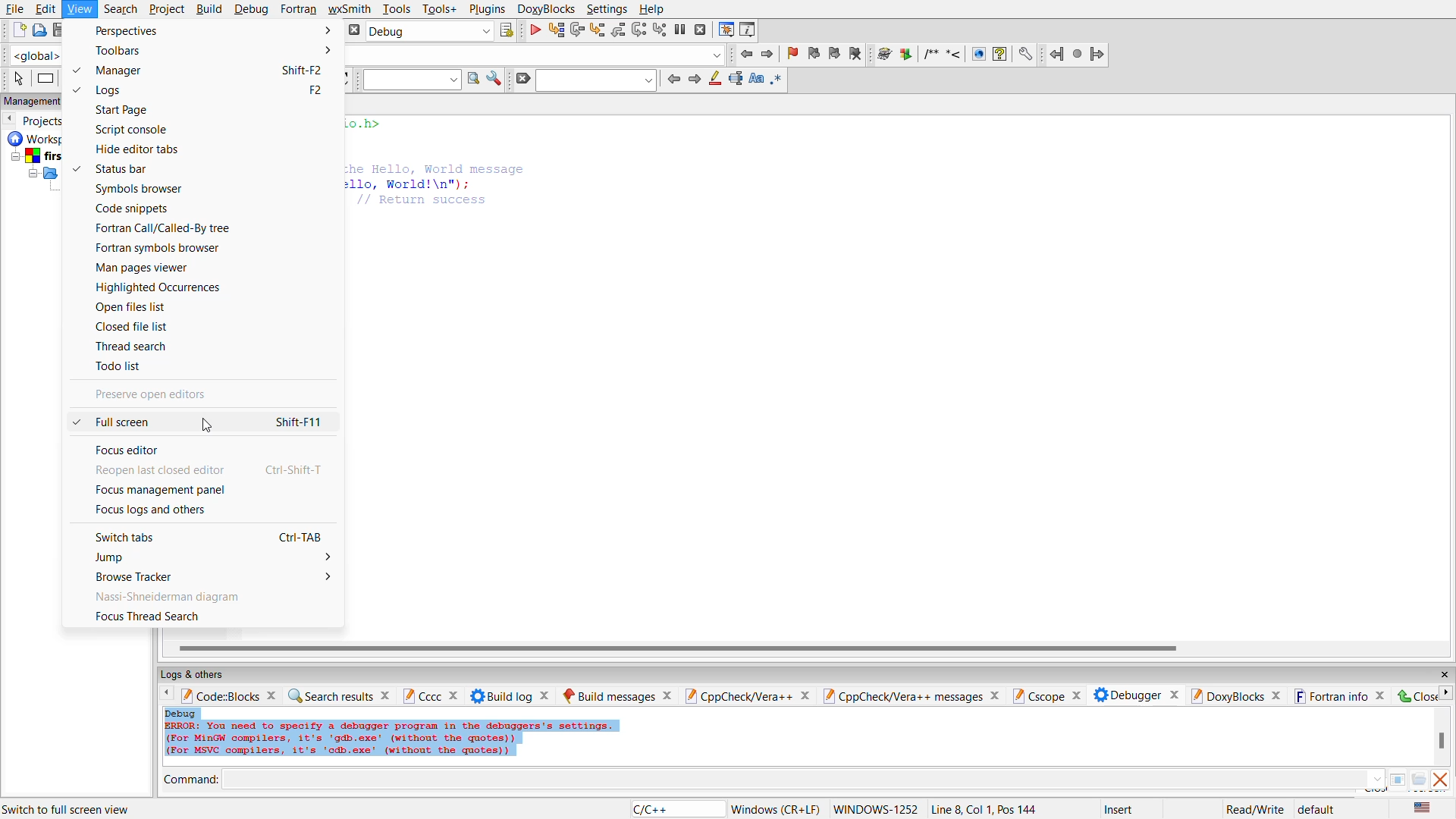 The image size is (1456, 819). I want to click on nassi shneiderman diagram, so click(171, 598).